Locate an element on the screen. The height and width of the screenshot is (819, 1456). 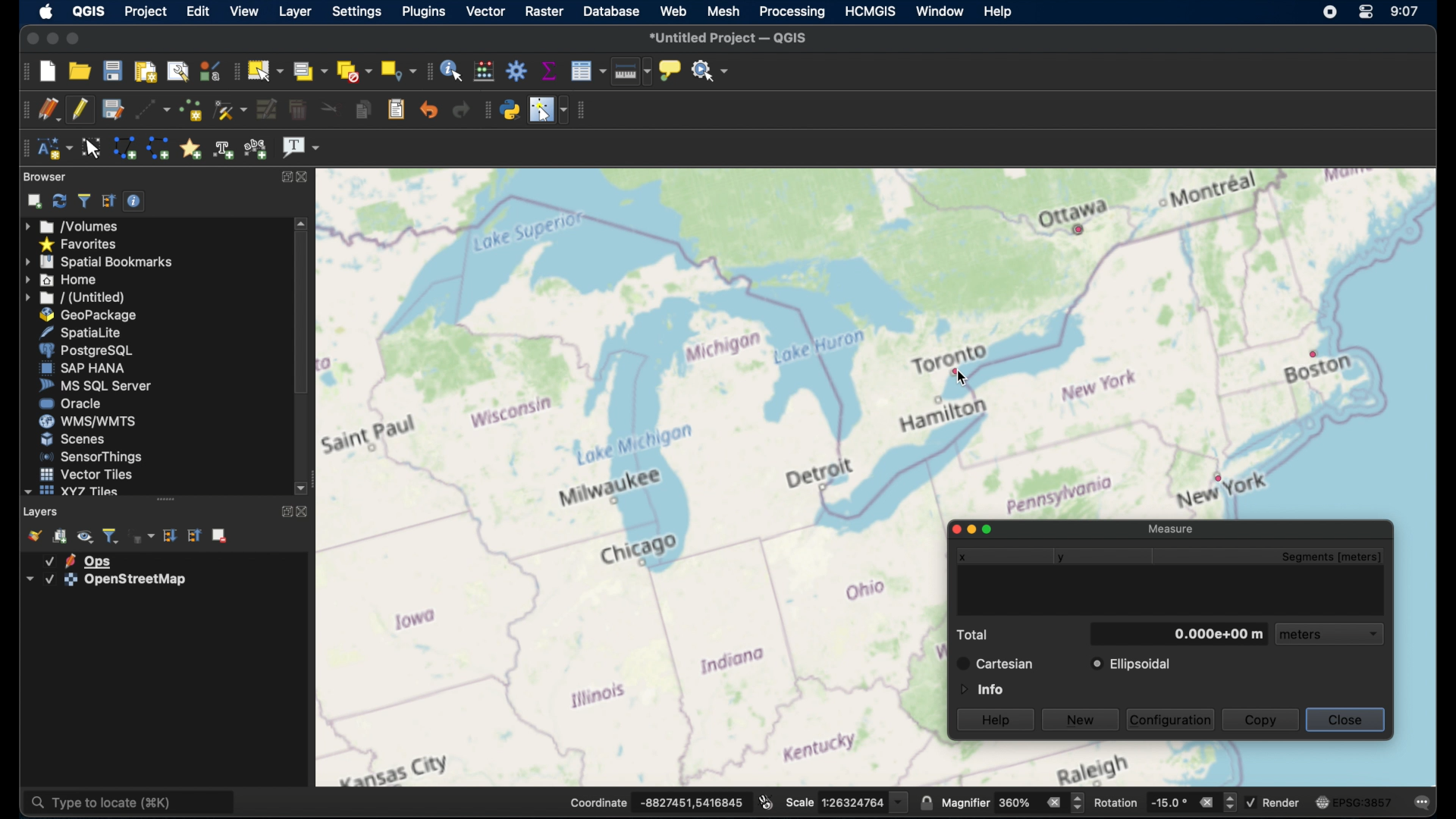
window is located at coordinates (941, 10).